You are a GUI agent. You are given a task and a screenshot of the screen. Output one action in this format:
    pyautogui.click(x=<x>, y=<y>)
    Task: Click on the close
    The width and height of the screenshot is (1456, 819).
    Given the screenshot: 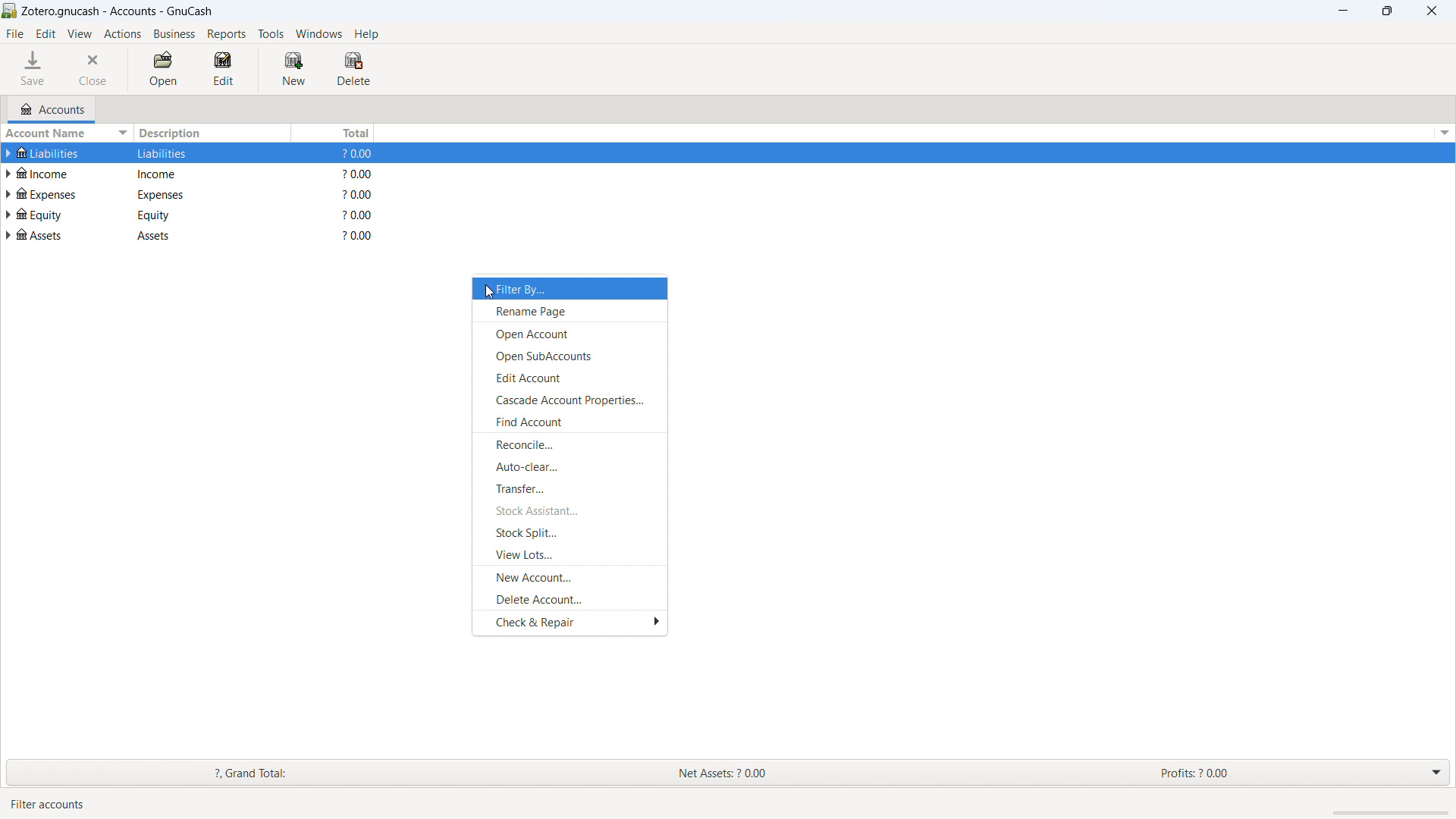 What is the action you would take?
    pyautogui.click(x=1432, y=11)
    